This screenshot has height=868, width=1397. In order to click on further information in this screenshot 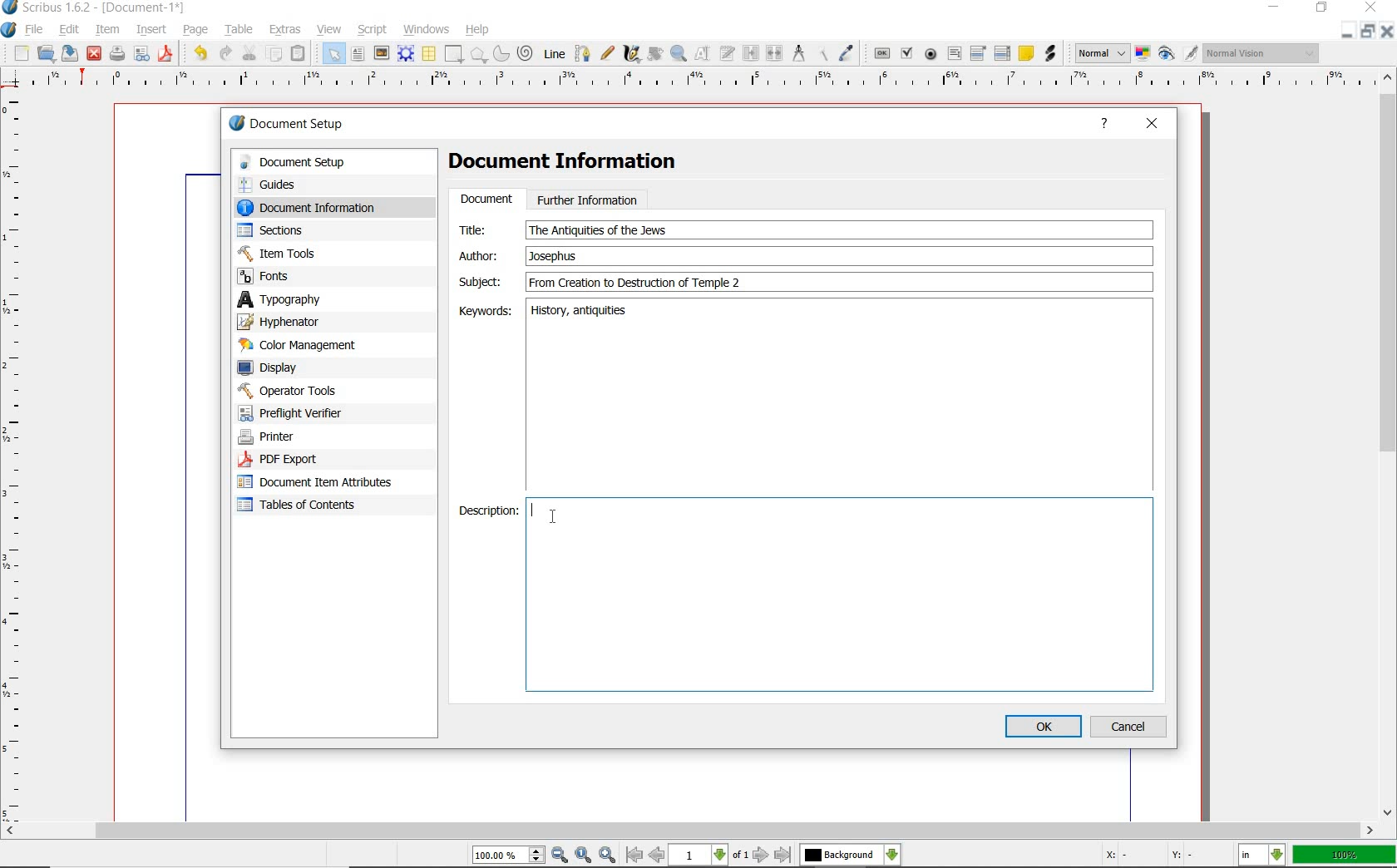, I will do `click(588, 199)`.